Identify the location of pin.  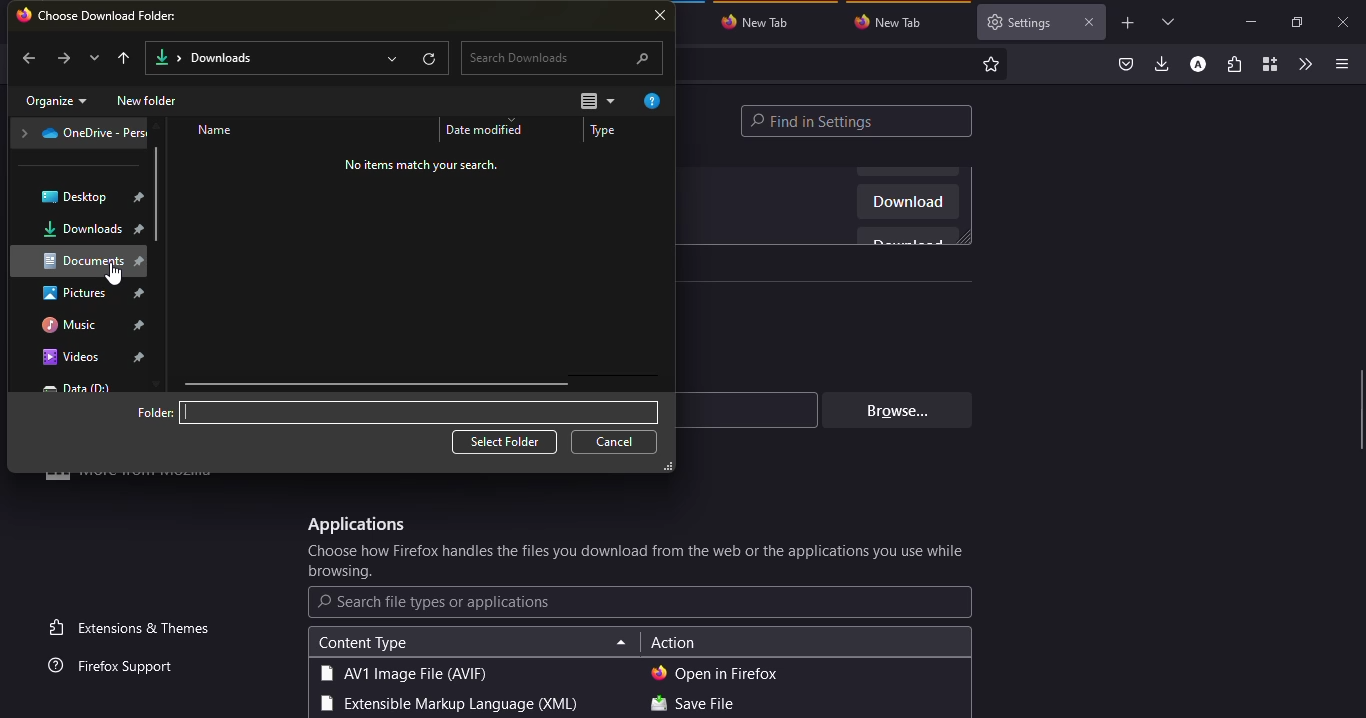
(139, 196).